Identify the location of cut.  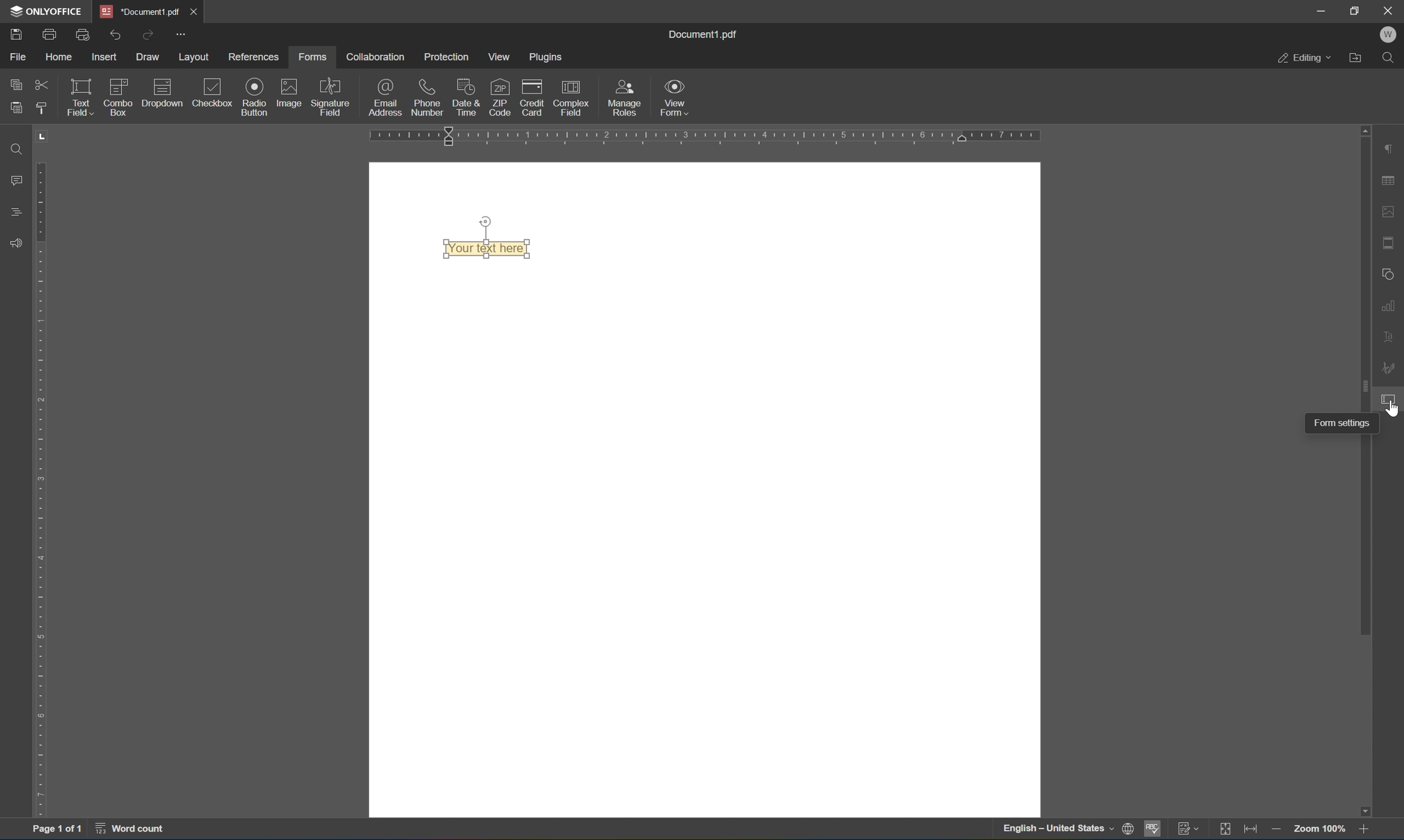
(41, 83).